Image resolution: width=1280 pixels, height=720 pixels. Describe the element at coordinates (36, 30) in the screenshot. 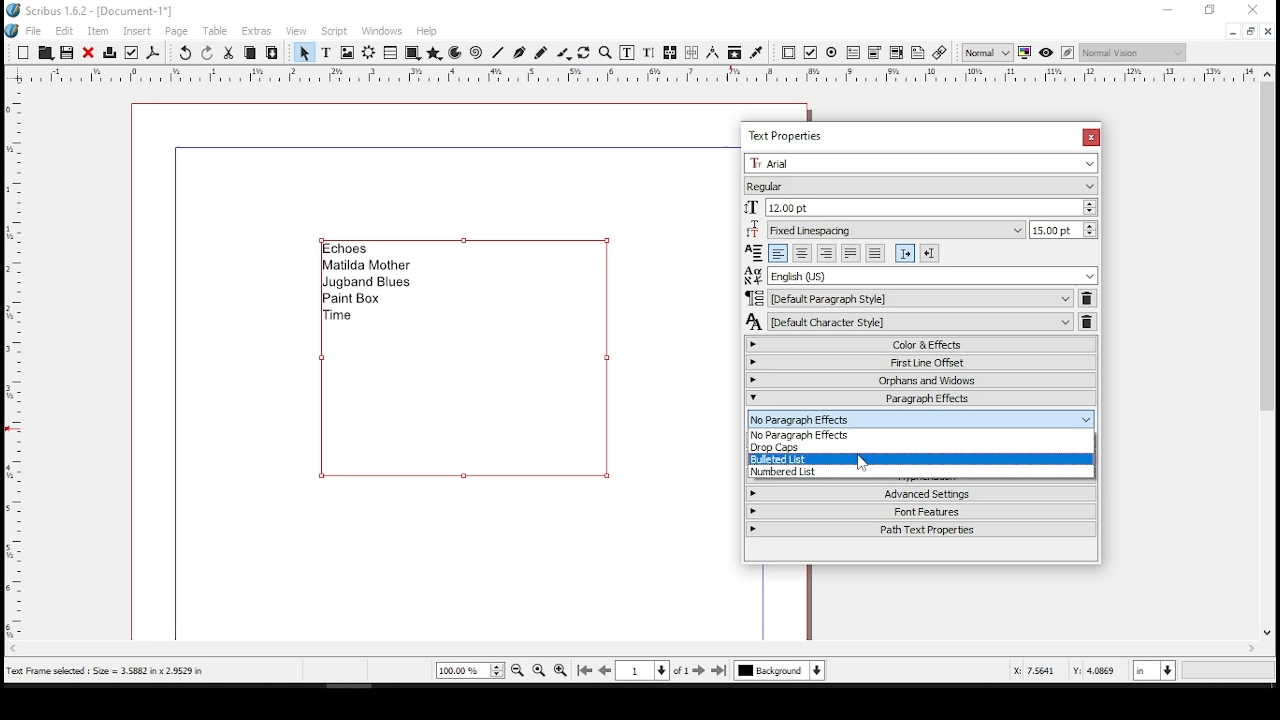

I see `file` at that location.